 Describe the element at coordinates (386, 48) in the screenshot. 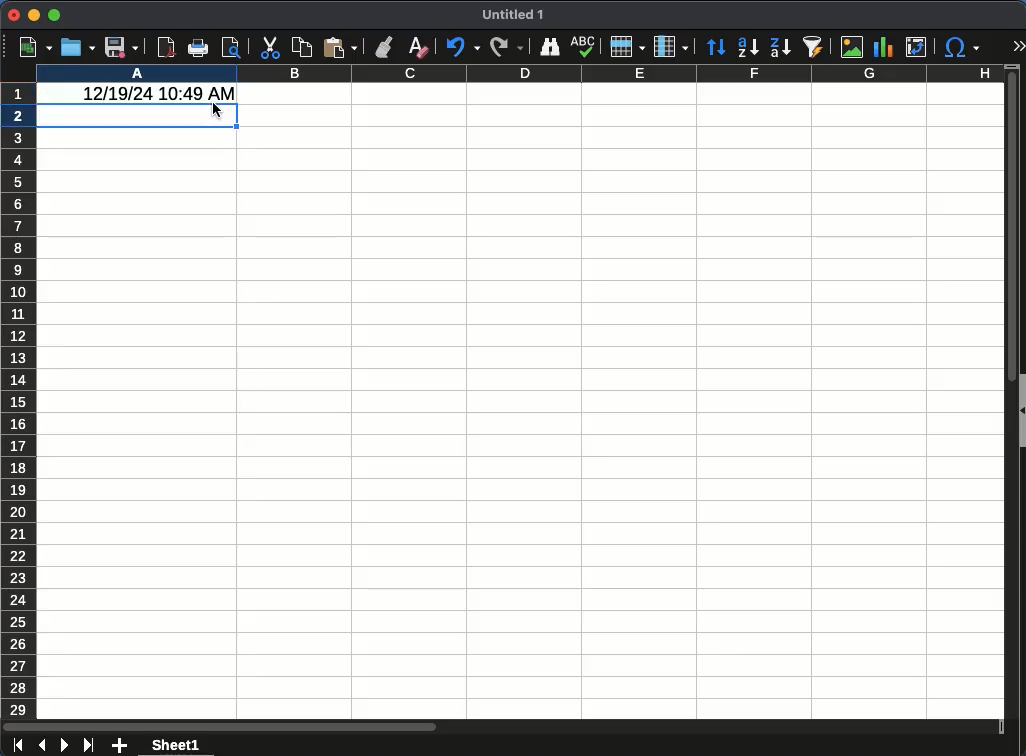

I see `clone formatting` at that location.